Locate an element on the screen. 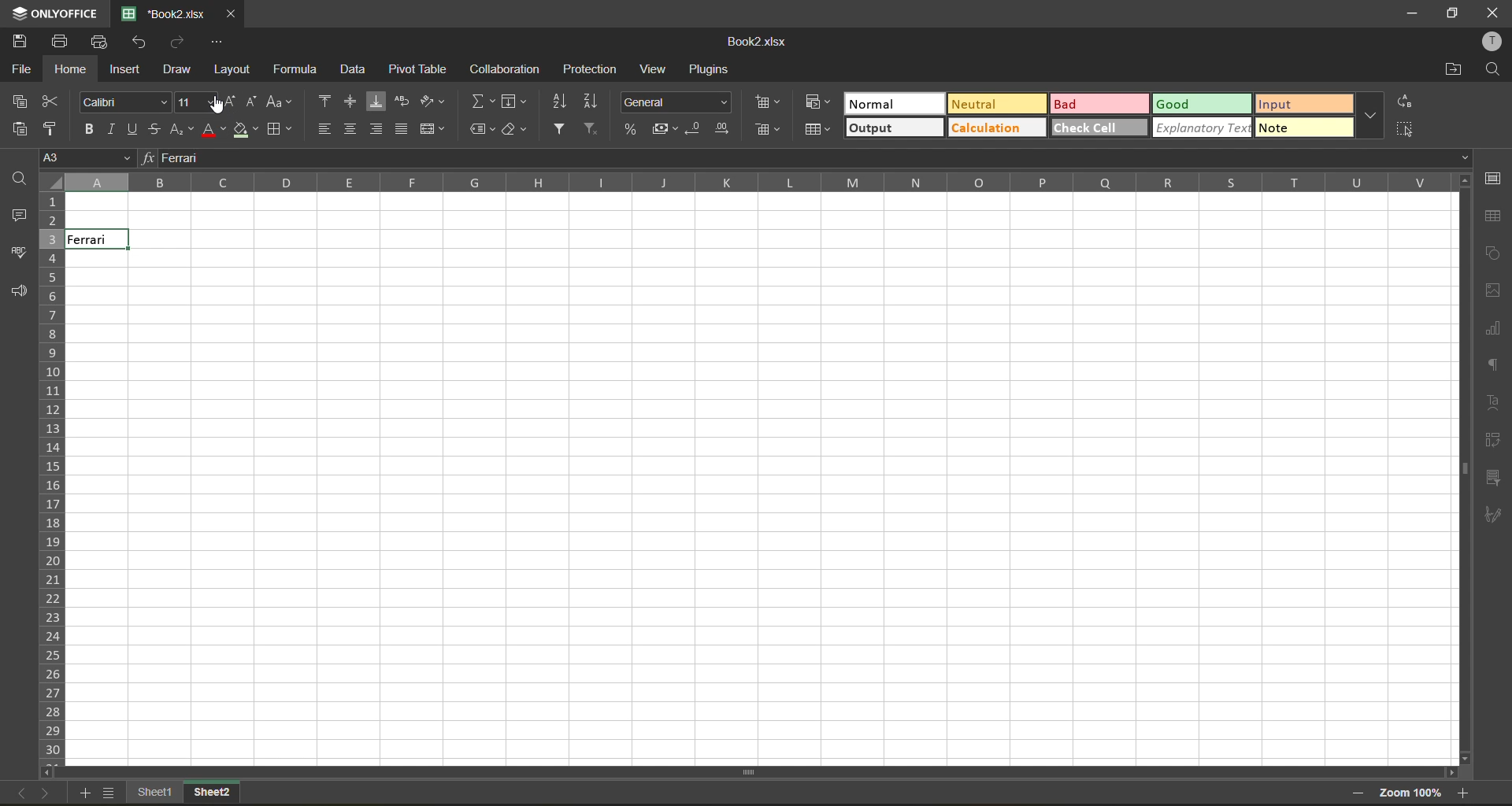 Image resolution: width=1512 pixels, height=806 pixels. minimize is located at coordinates (1414, 12).